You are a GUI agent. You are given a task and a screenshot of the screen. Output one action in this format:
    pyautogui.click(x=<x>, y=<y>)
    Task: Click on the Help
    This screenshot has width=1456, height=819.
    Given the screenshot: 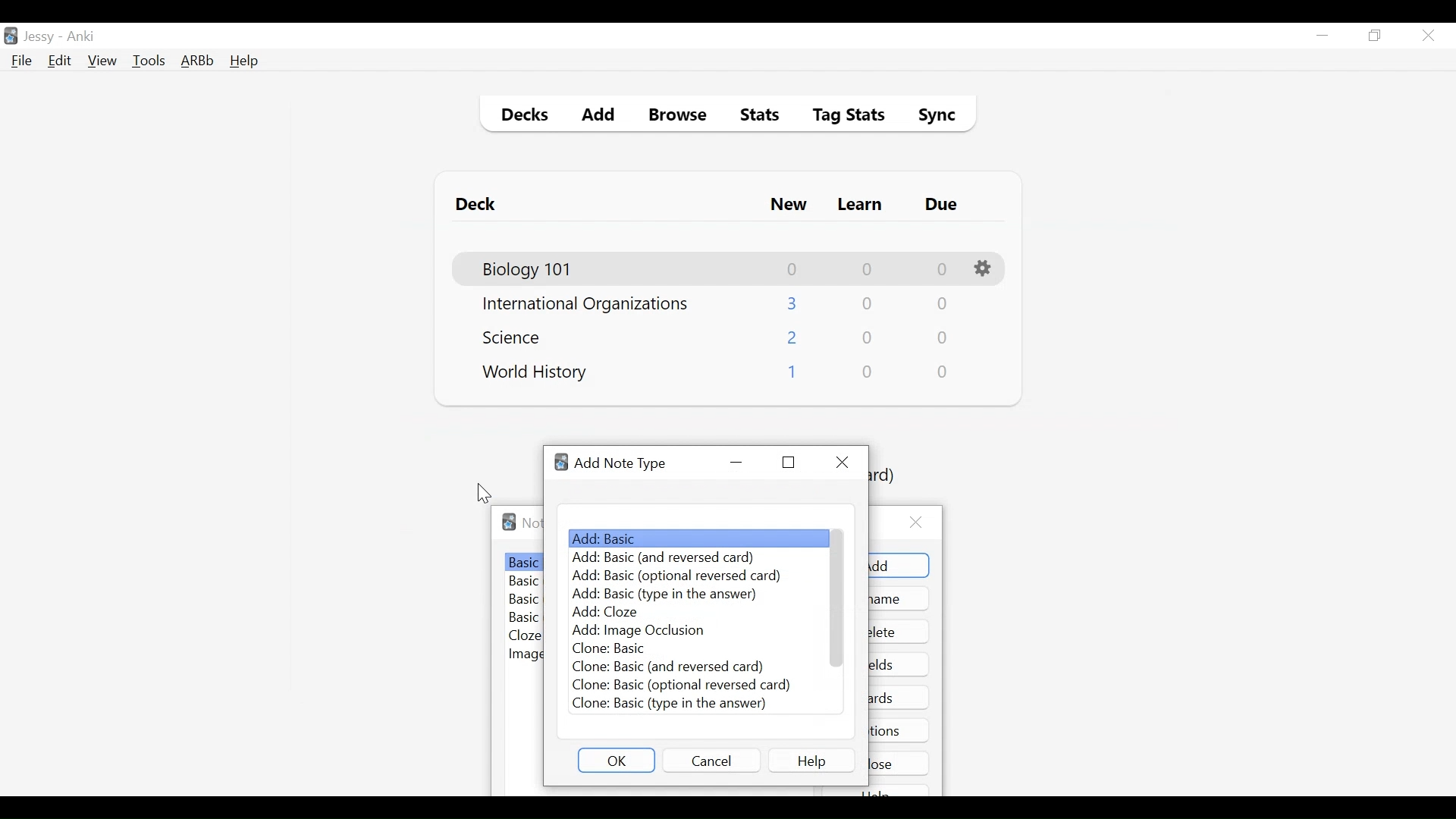 What is the action you would take?
    pyautogui.click(x=811, y=760)
    